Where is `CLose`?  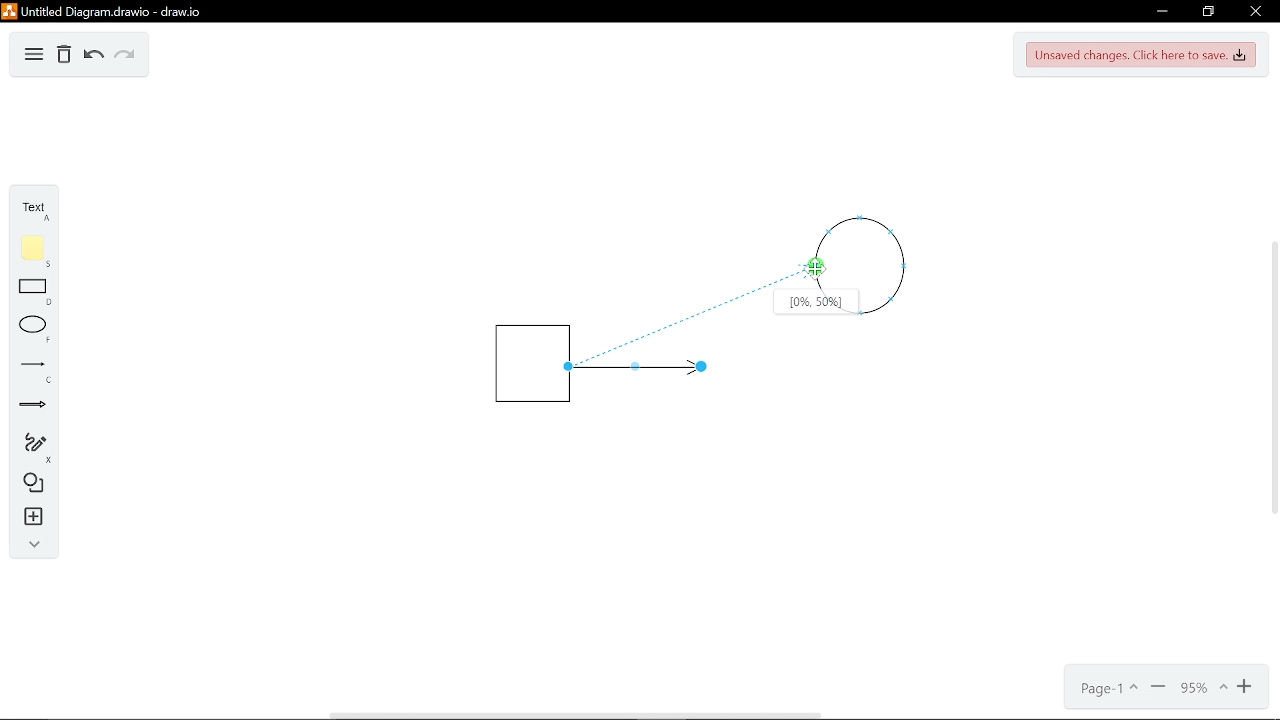
CLose is located at coordinates (1254, 12).